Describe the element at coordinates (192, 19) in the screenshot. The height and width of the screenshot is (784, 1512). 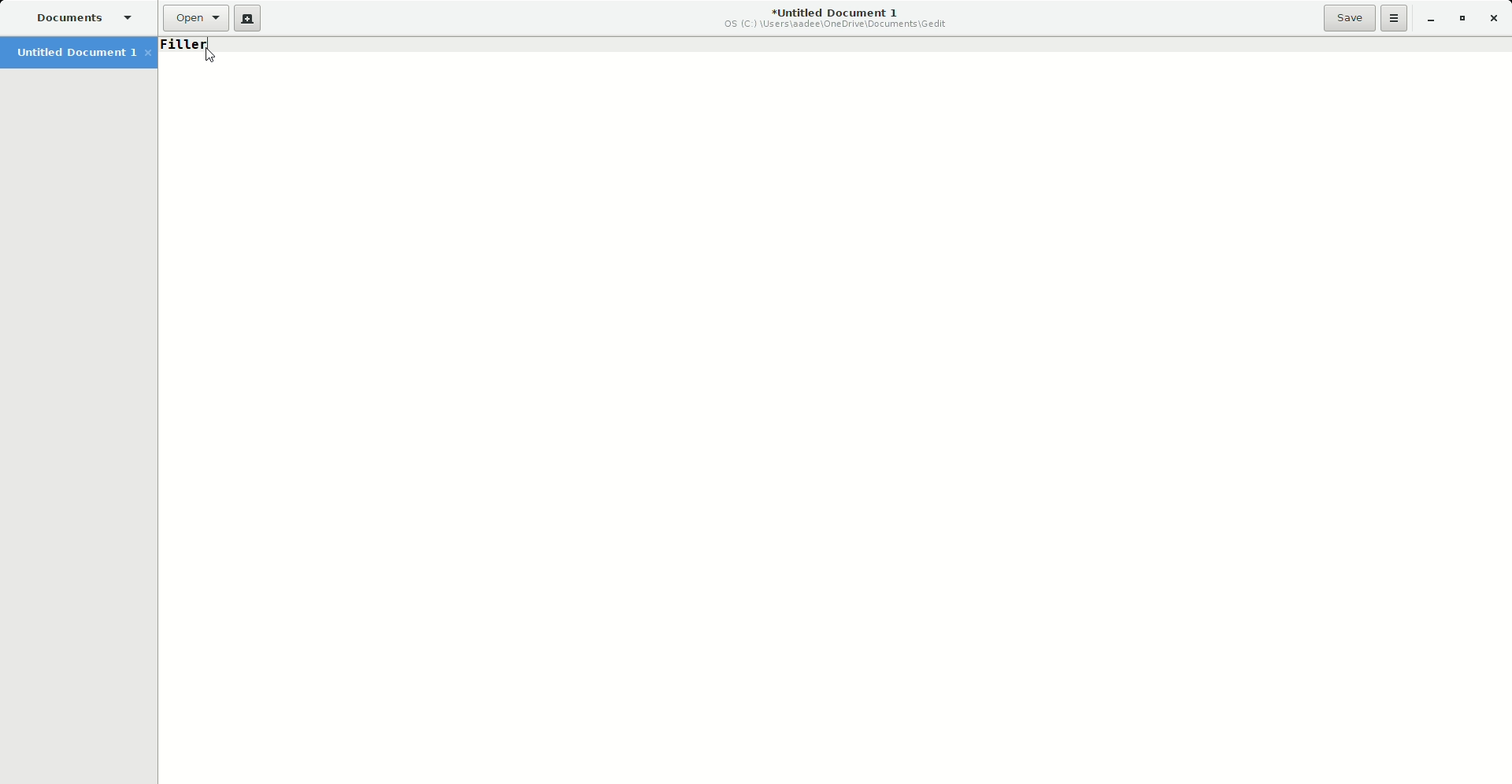
I see `Open` at that location.